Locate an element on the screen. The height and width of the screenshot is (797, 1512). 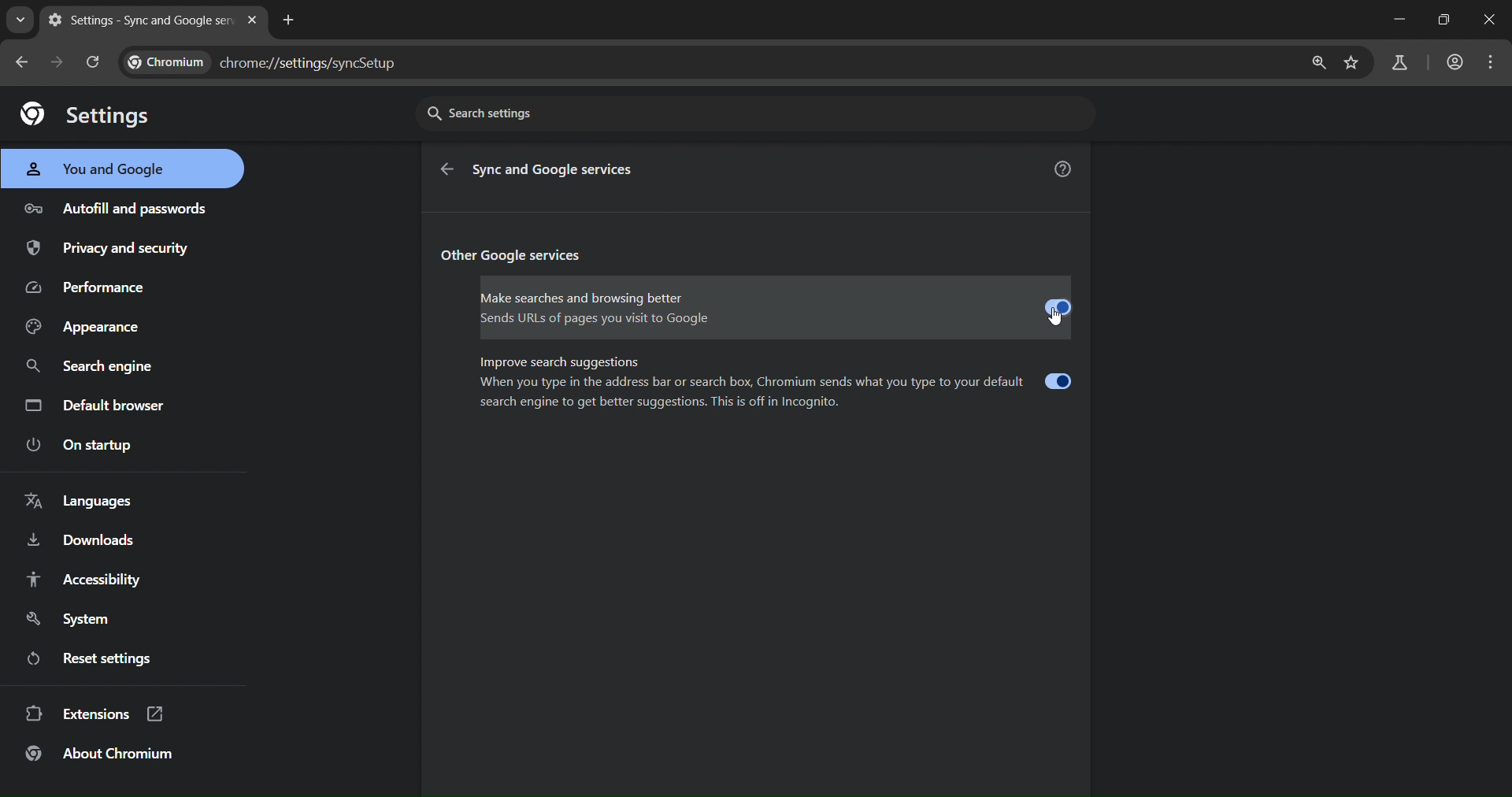
Make searches and browsing better
Sends URLs of pages you visit to Google is located at coordinates (776, 310).